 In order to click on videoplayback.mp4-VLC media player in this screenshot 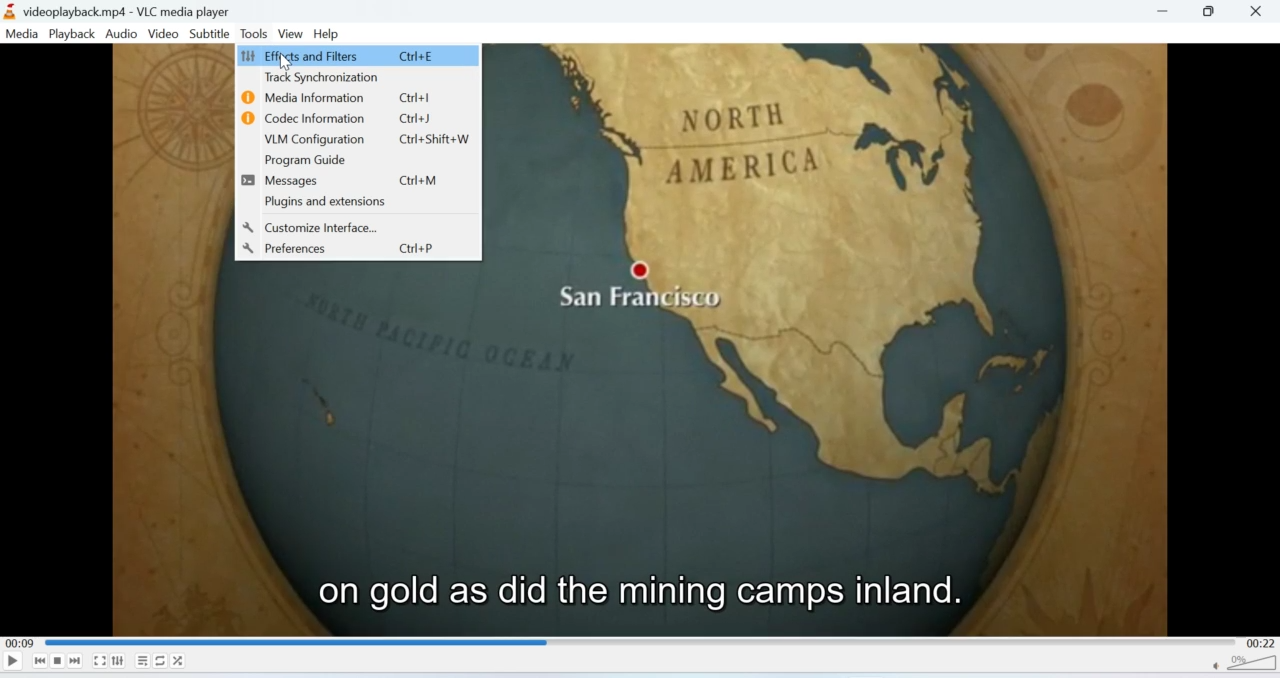, I will do `click(117, 13)`.